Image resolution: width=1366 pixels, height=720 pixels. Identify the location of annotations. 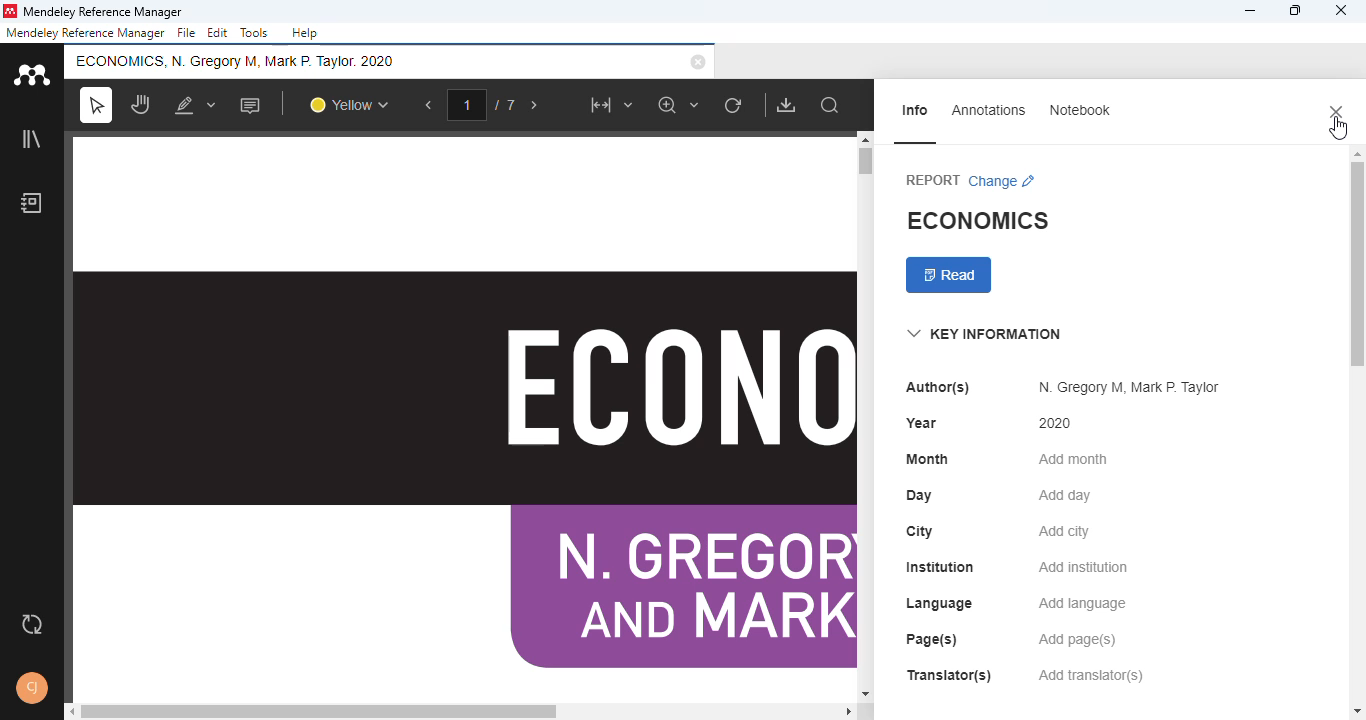
(989, 110).